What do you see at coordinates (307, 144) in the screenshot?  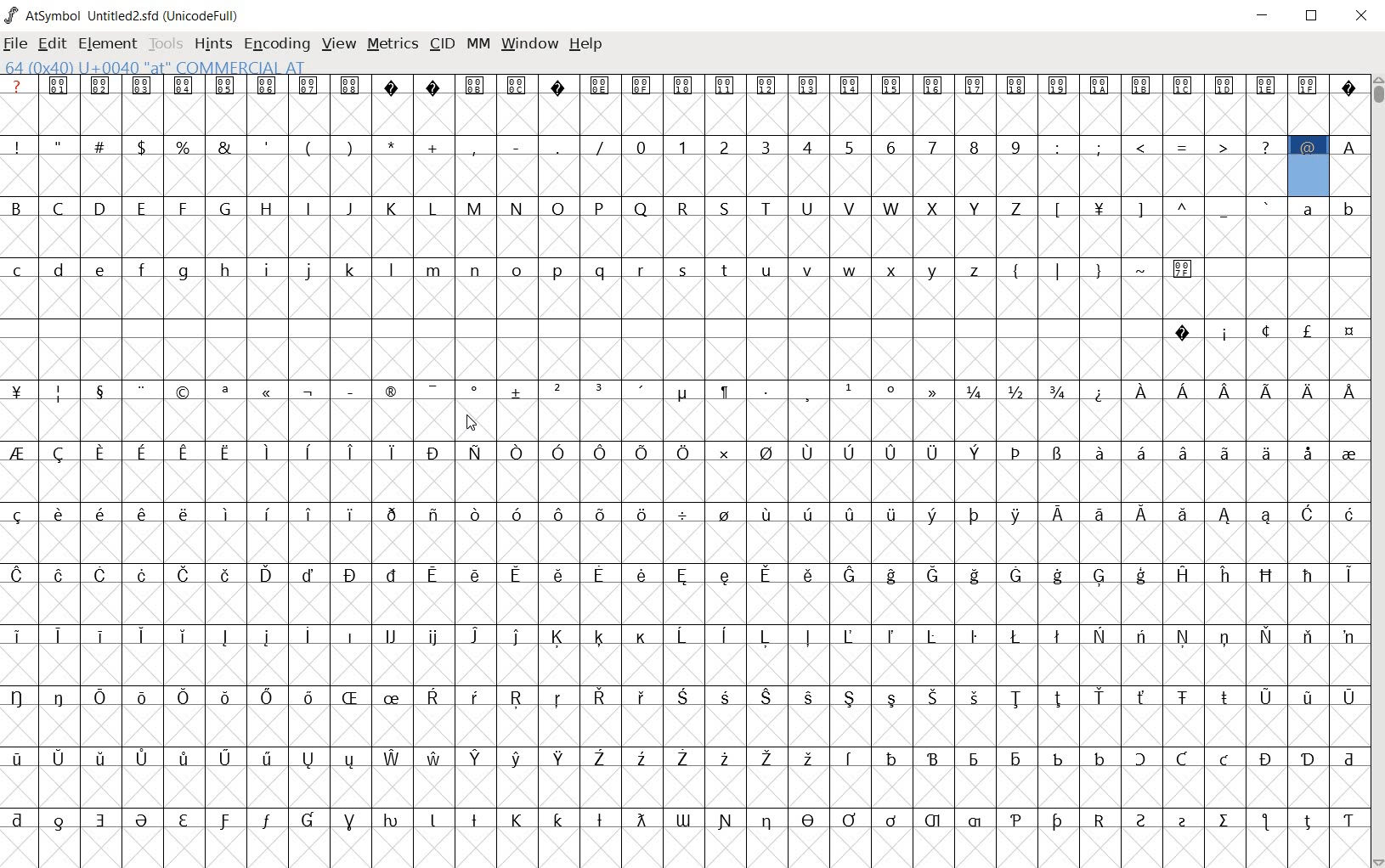 I see `special characters` at bounding box center [307, 144].